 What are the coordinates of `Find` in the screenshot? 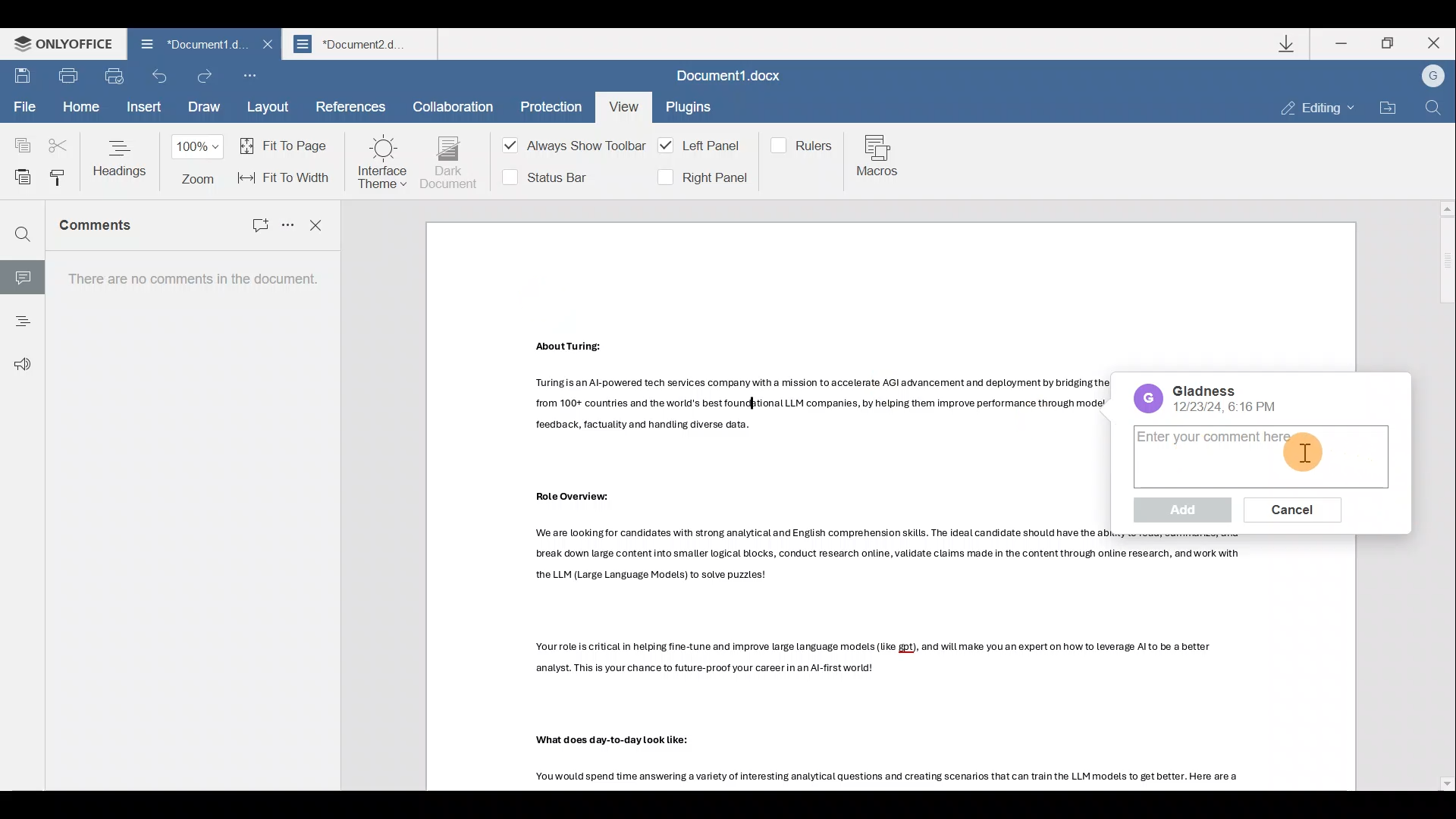 It's located at (23, 236).